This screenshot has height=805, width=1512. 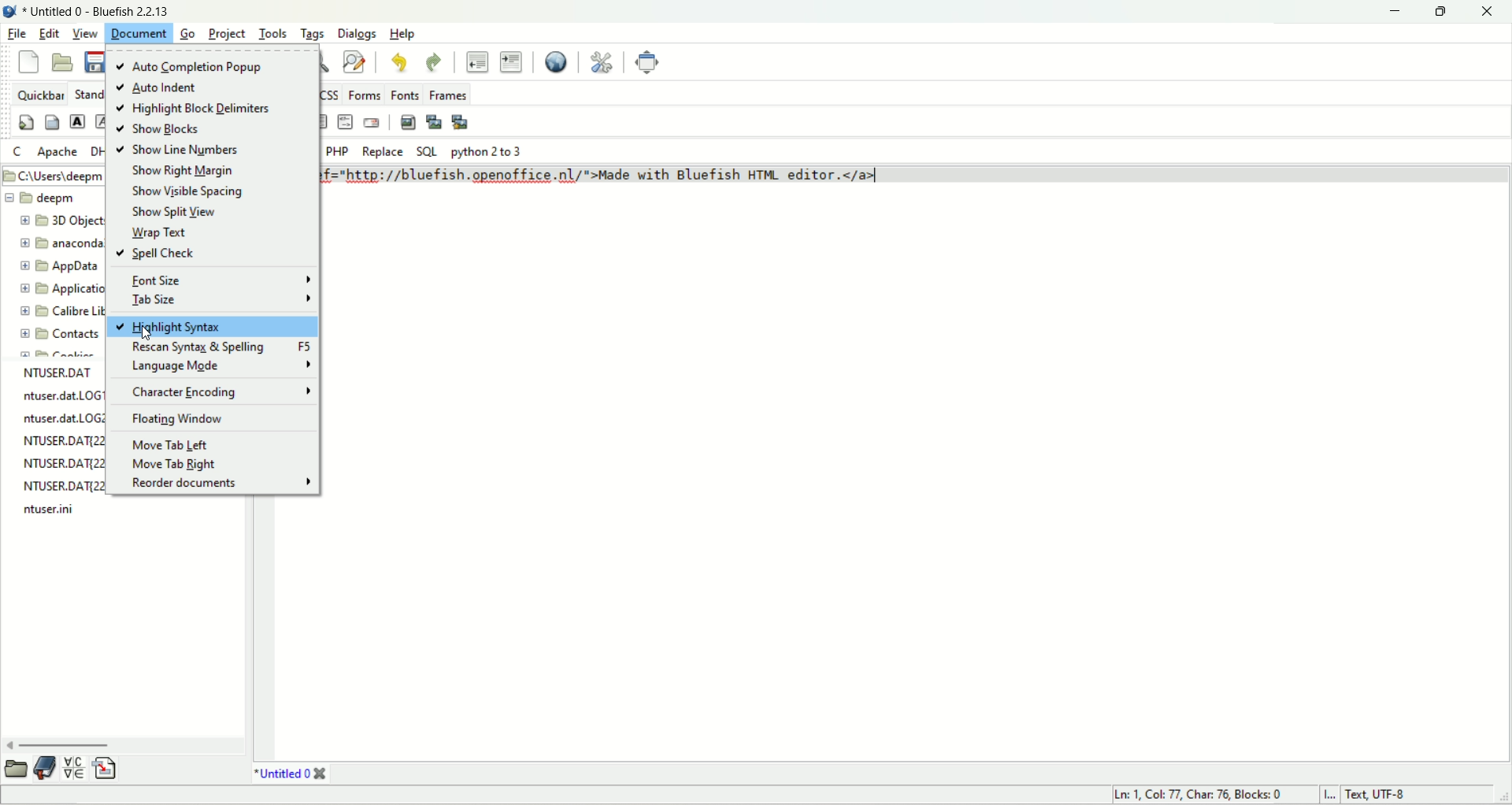 What do you see at coordinates (186, 33) in the screenshot?
I see `go` at bounding box center [186, 33].